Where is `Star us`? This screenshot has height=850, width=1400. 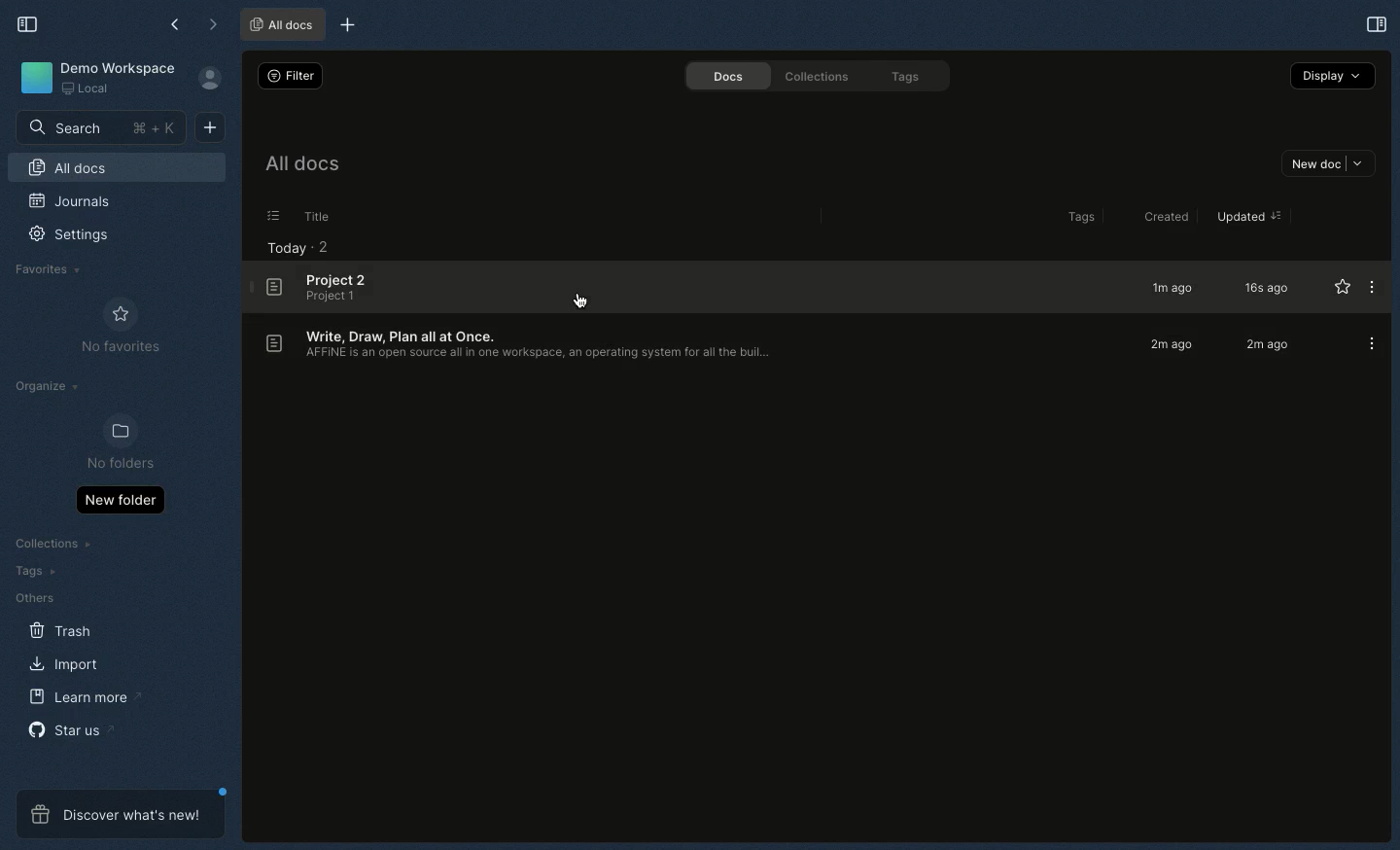 Star us is located at coordinates (68, 728).